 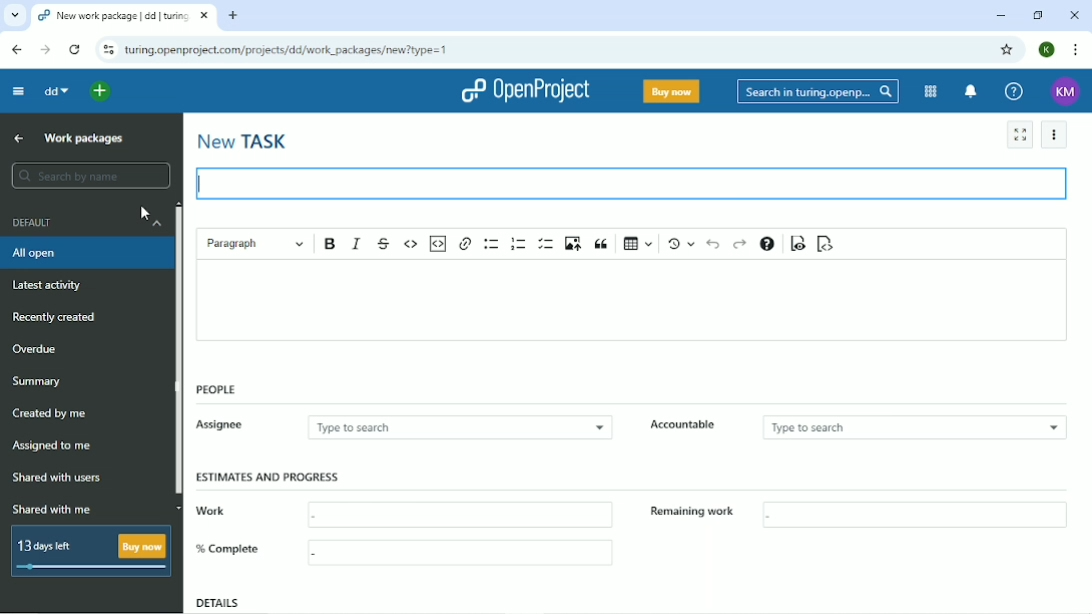 What do you see at coordinates (527, 91) in the screenshot?
I see `OpenProject` at bounding box center [527, 91].